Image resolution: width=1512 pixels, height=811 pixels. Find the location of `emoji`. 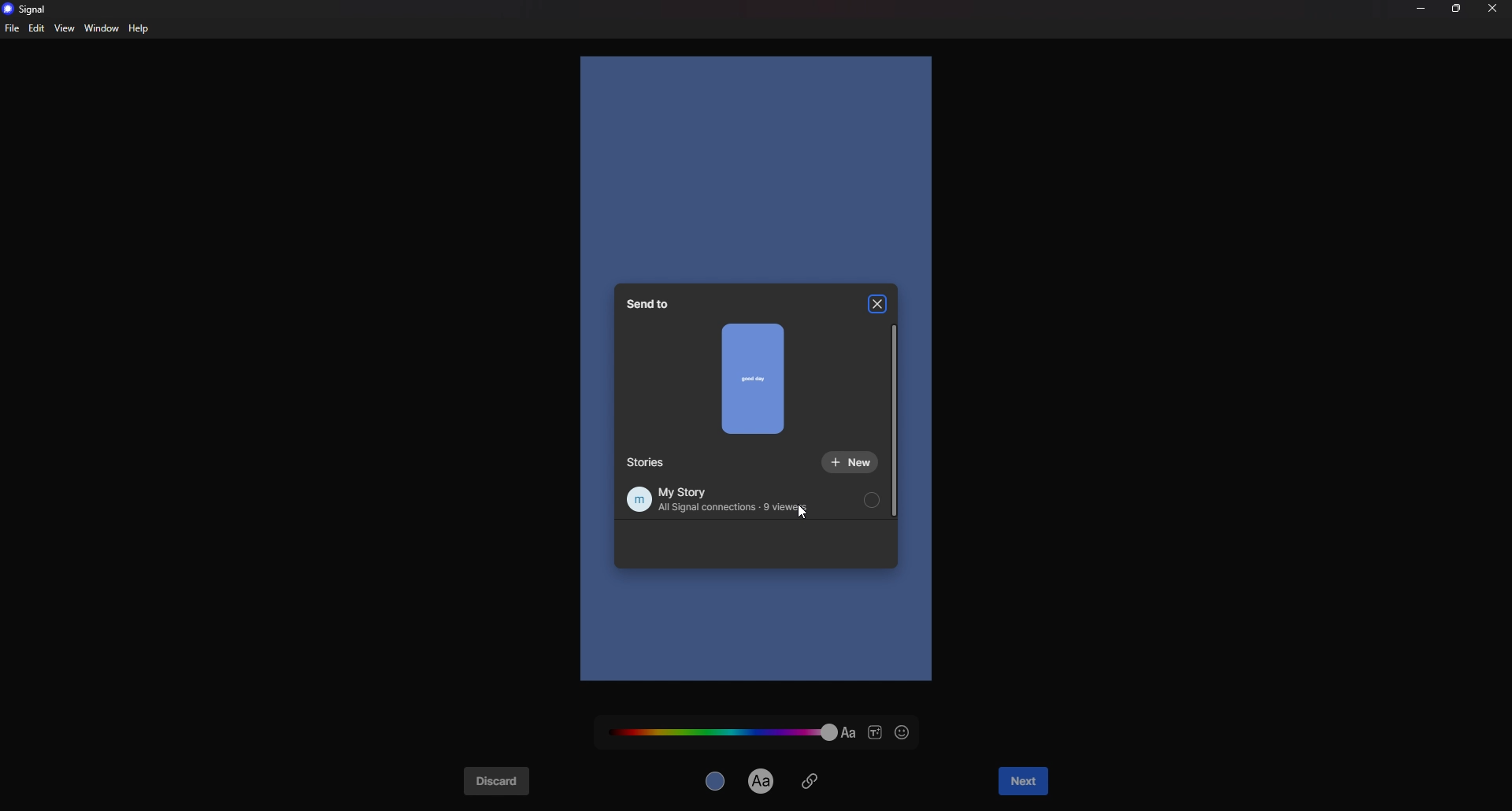

emoji is located at coordinates (904, 733).